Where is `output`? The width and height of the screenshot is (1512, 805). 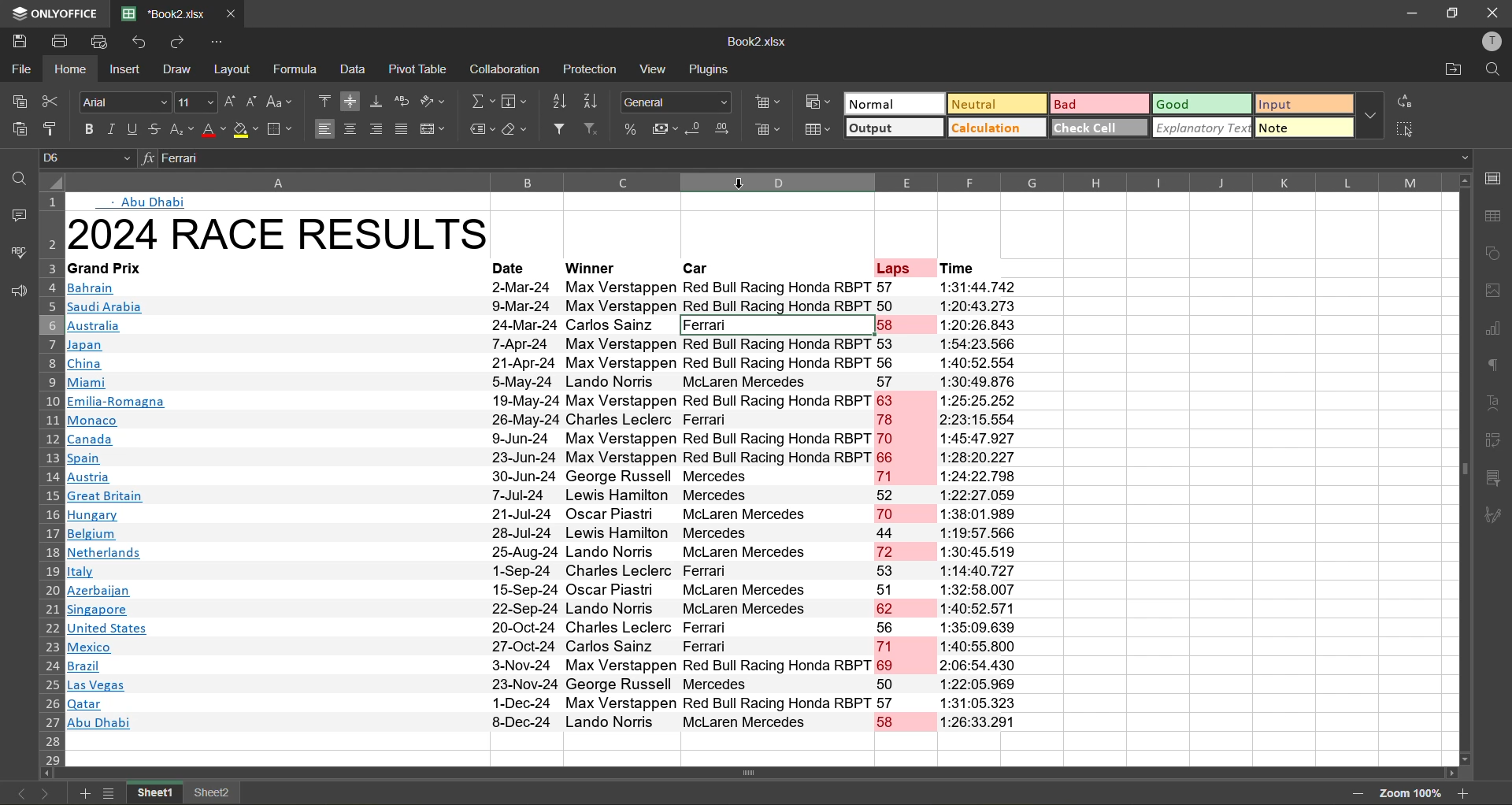 output is located at coordinates (893, 128).